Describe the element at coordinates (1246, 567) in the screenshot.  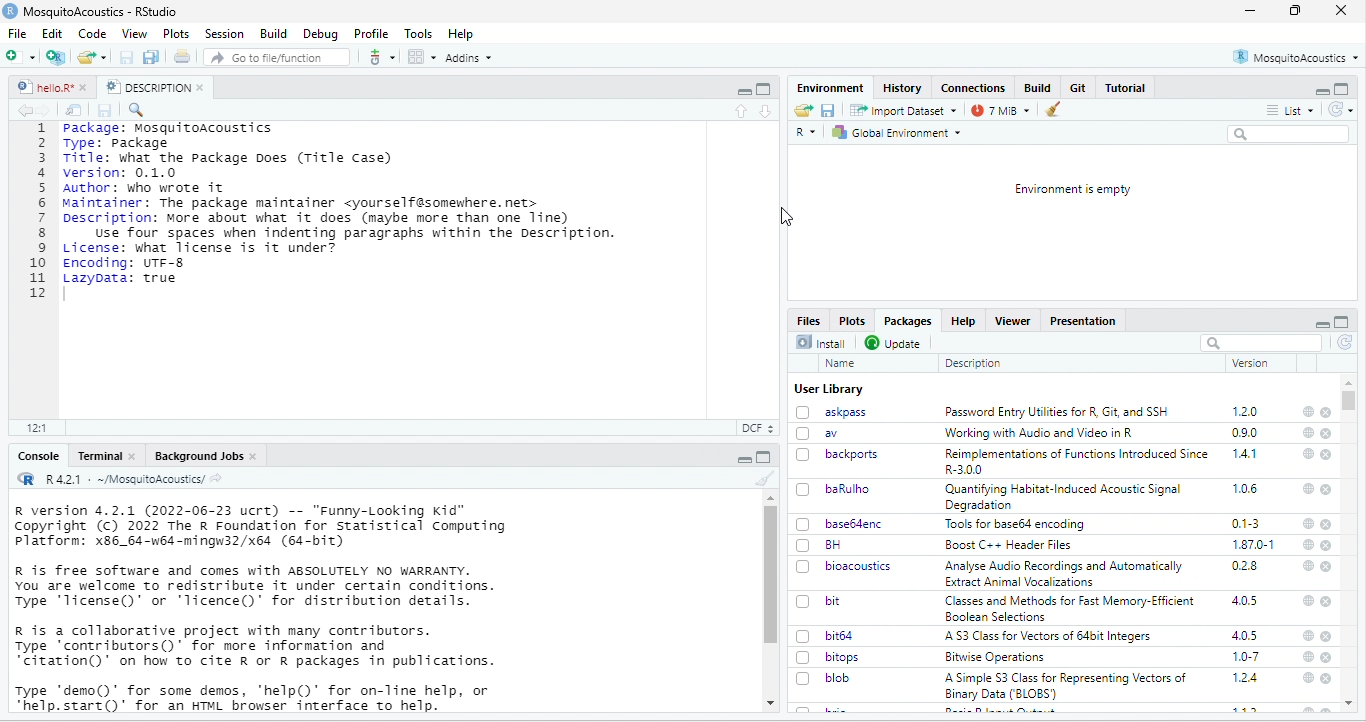
I see `0.2.8` at that location.